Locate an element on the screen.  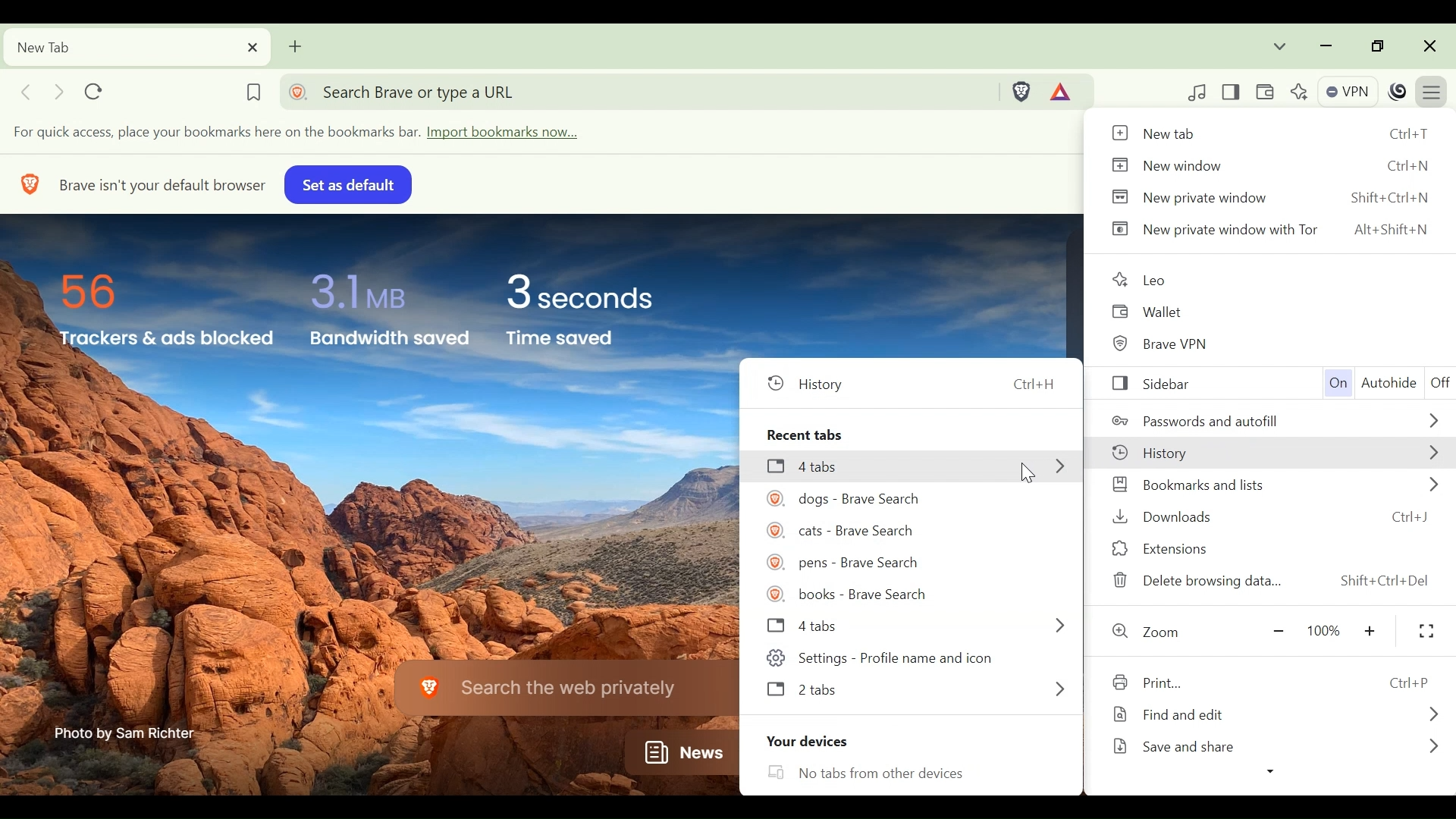
AEC (©) dogs - Brave Search is located at coordinates (843, 497).